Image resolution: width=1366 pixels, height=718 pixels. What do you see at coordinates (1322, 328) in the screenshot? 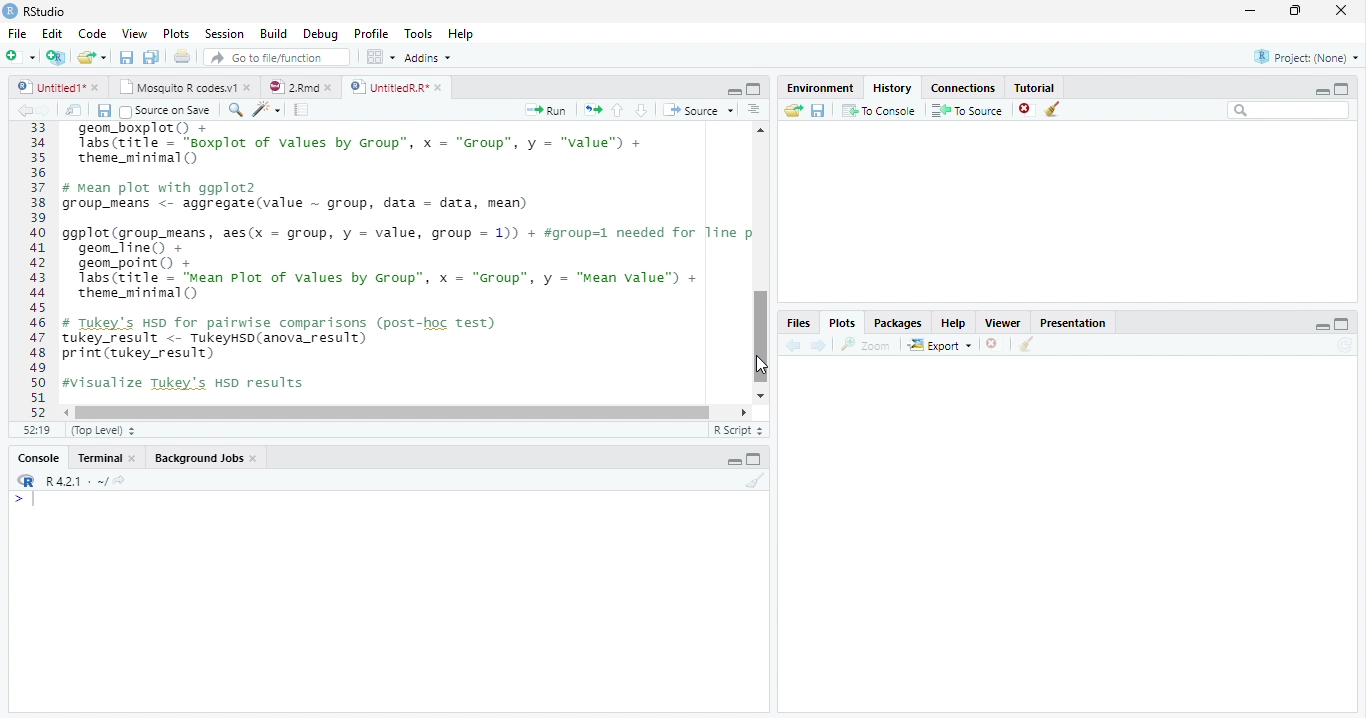
I see `Minimize` at bounding box center [1322, 328].